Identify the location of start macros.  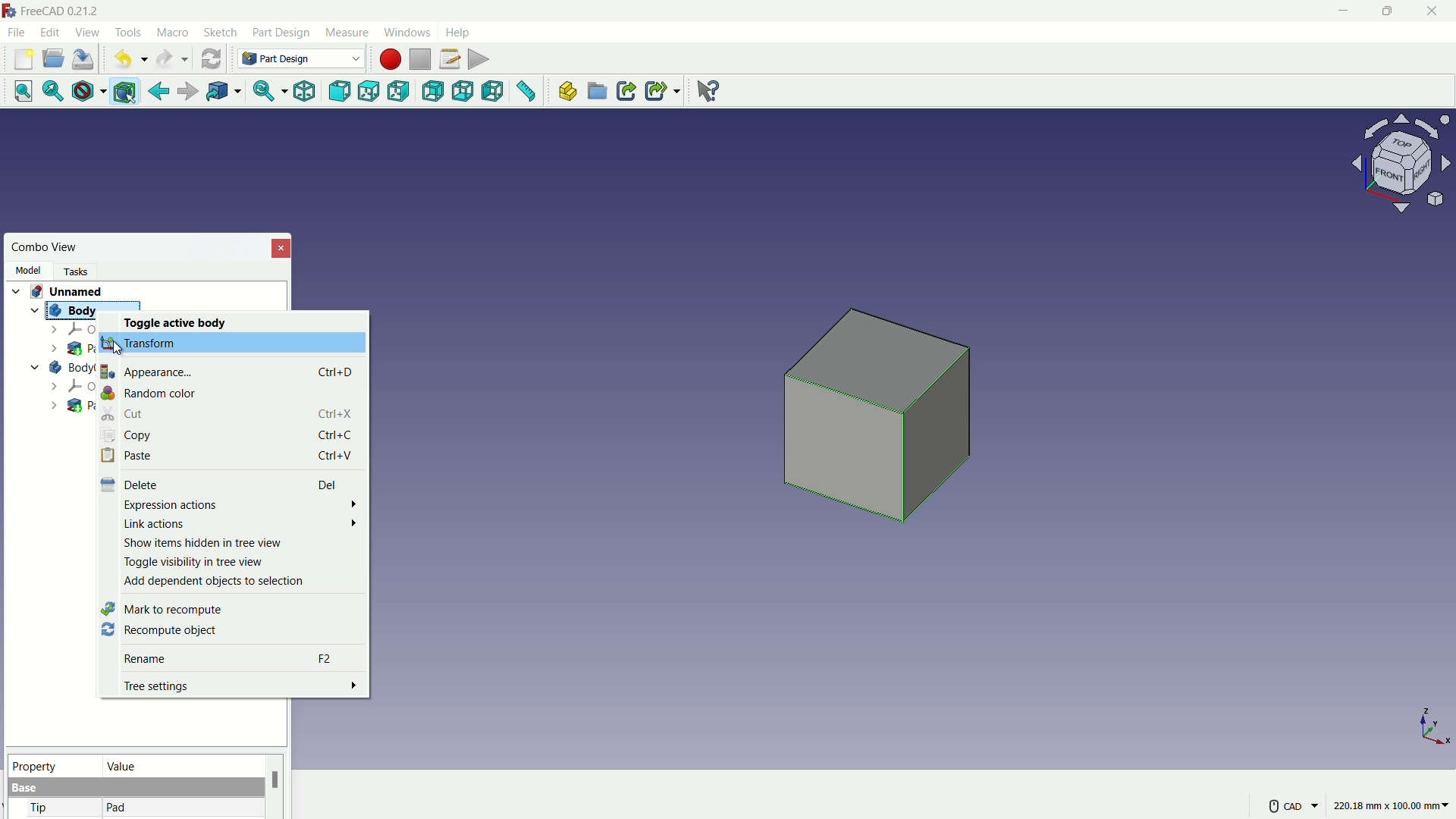
(389, 59).